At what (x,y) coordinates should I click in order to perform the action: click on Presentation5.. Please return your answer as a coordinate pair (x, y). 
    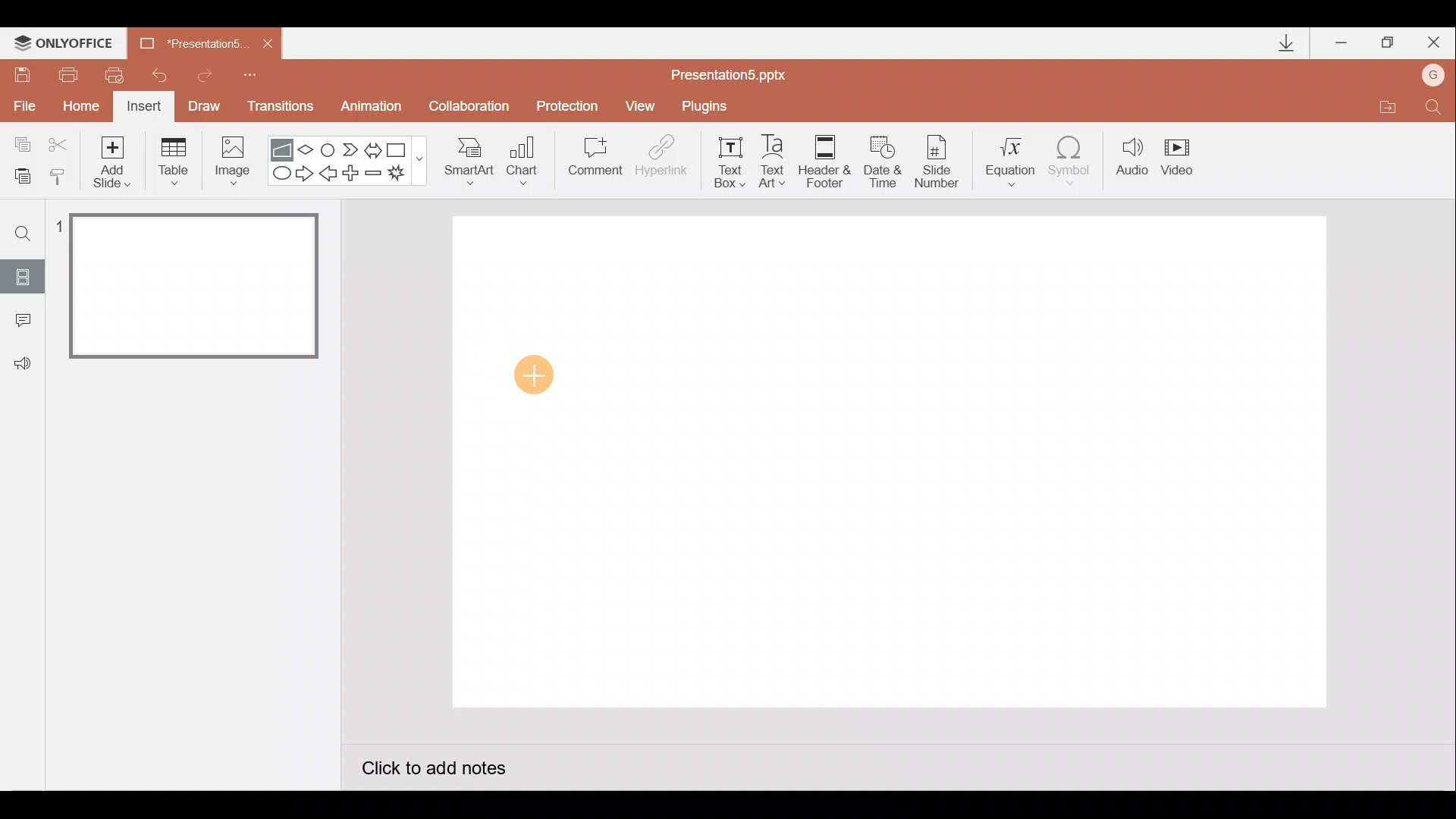
    Looking at the image, I should click on (187, 41).